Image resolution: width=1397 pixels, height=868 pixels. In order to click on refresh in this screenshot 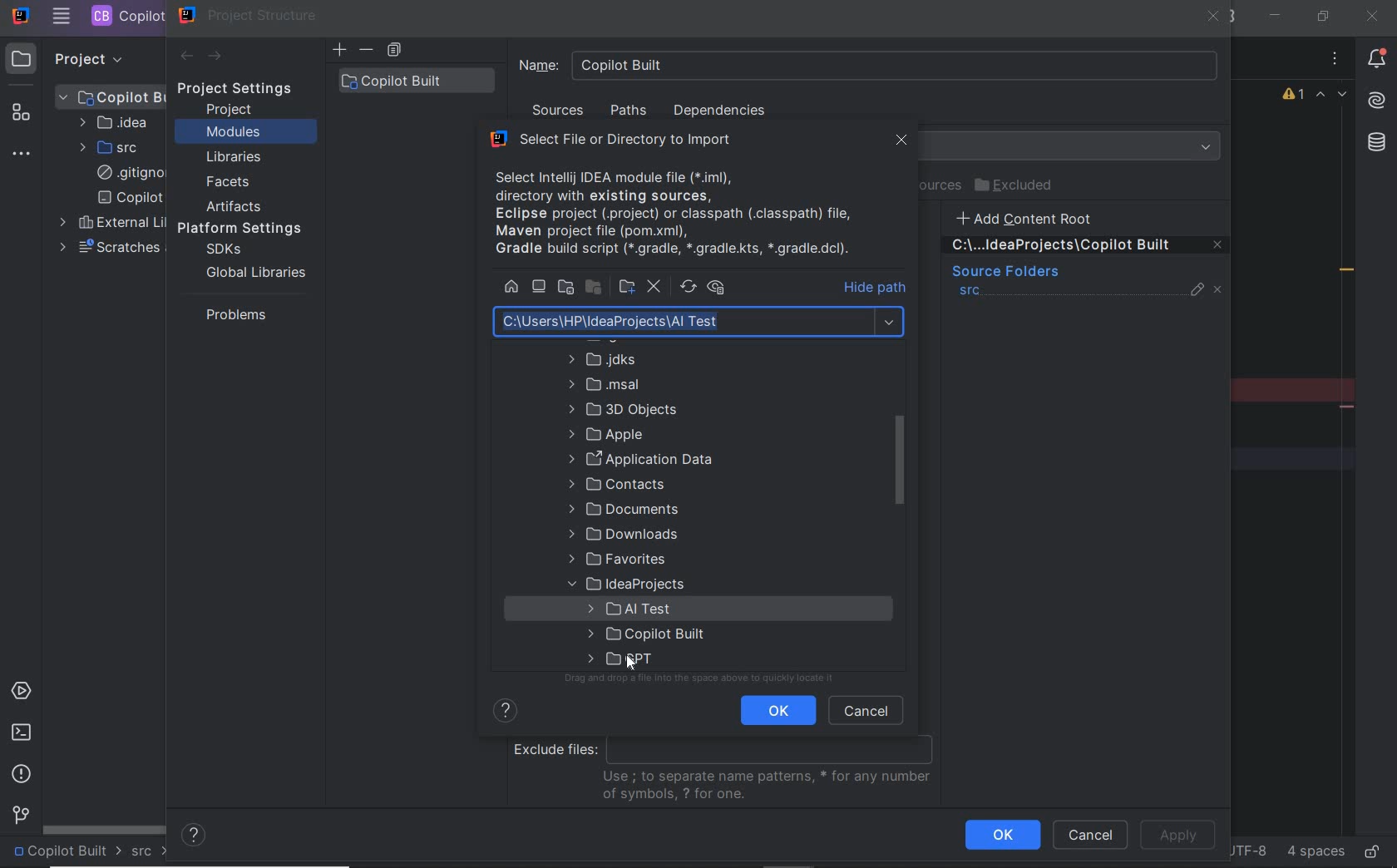, I will do `click(689, 287)`.